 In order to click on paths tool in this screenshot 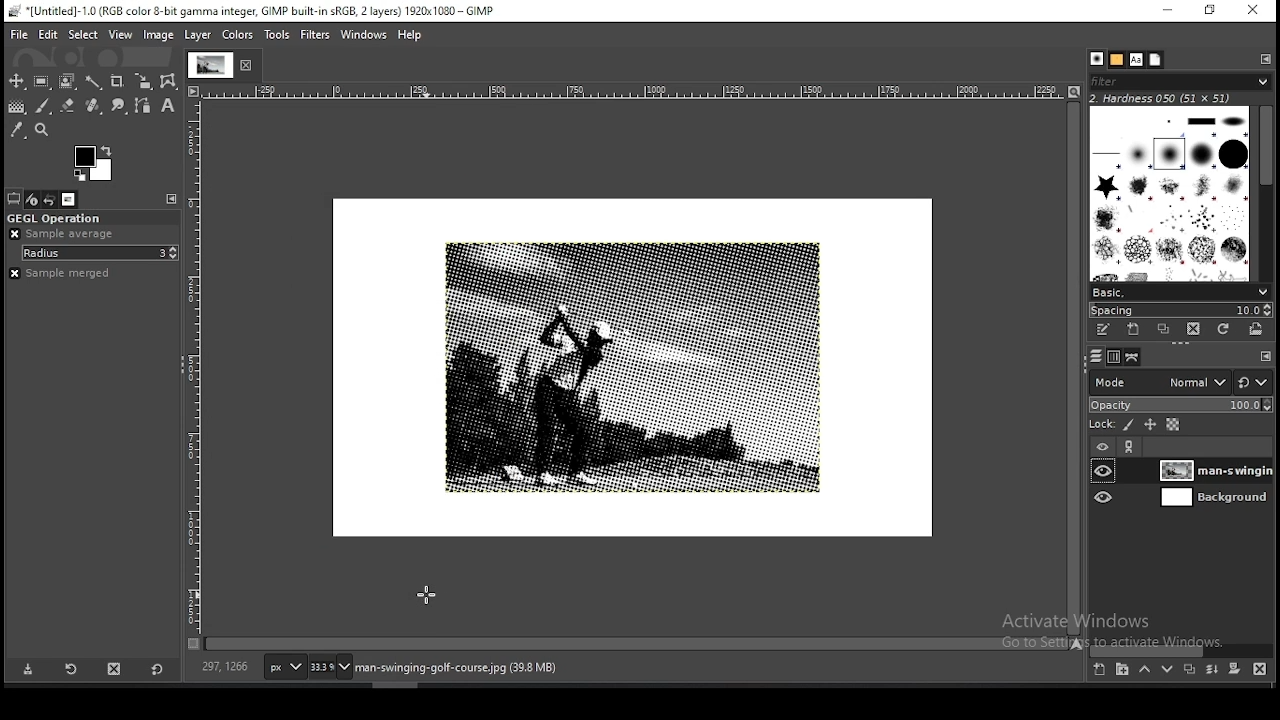, I will do `click(141, 105)`.